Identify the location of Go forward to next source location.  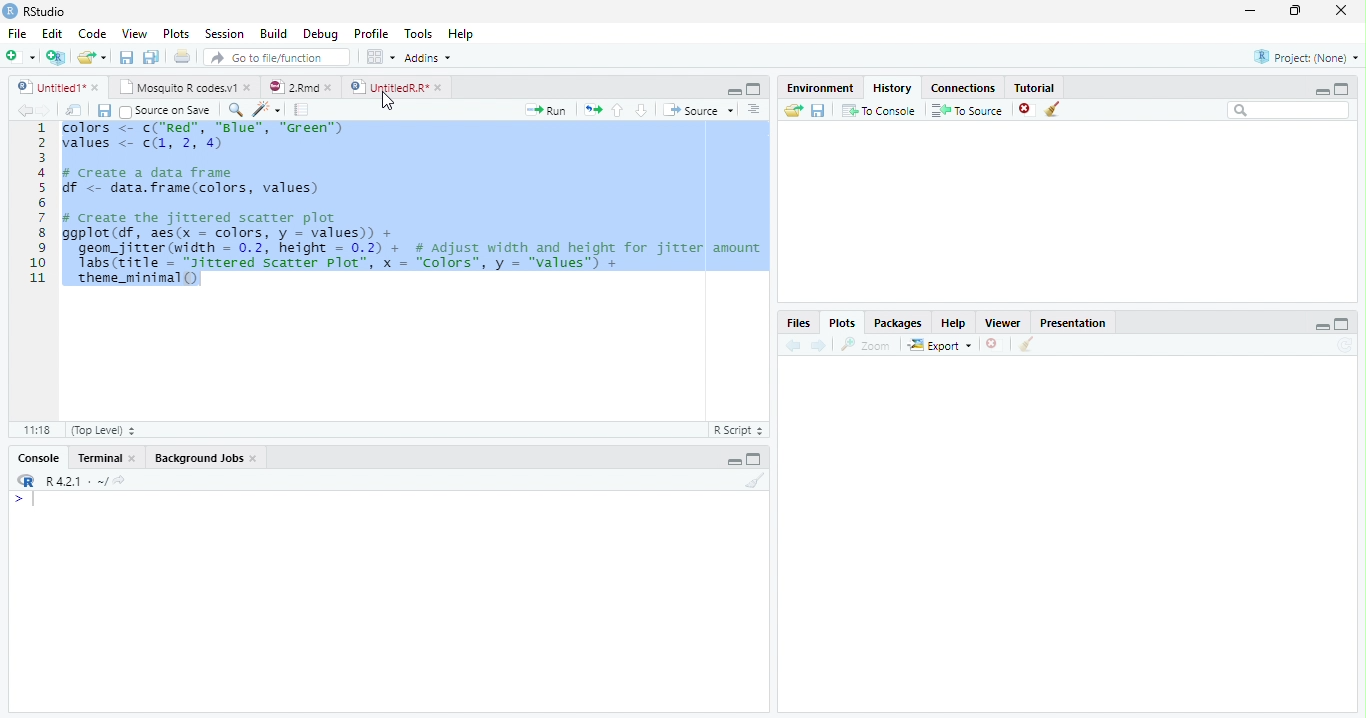
(44, 111).